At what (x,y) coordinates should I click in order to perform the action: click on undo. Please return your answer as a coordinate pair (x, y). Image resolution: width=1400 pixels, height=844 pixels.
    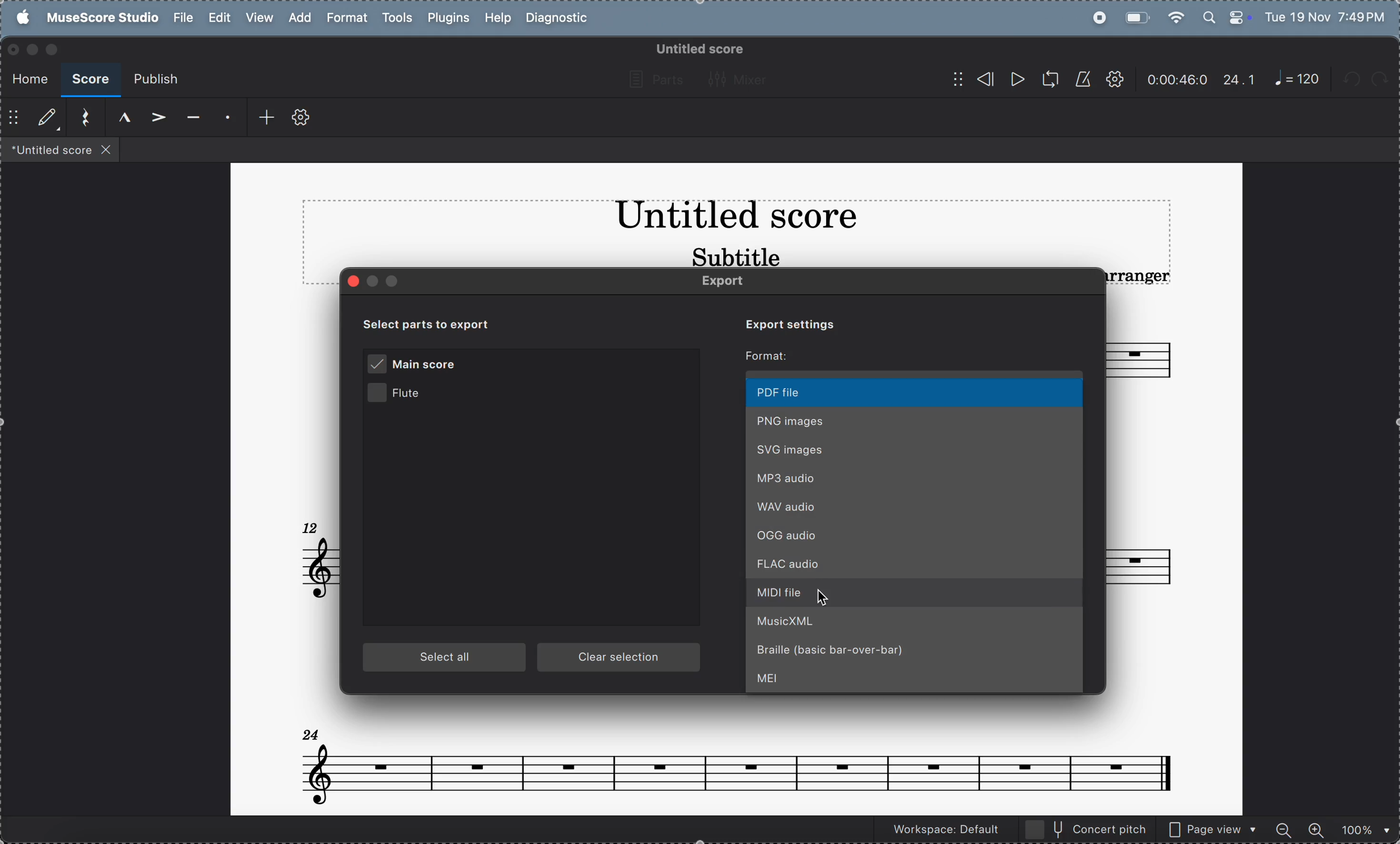
    Looking at the image, I should click on (1354, 81).